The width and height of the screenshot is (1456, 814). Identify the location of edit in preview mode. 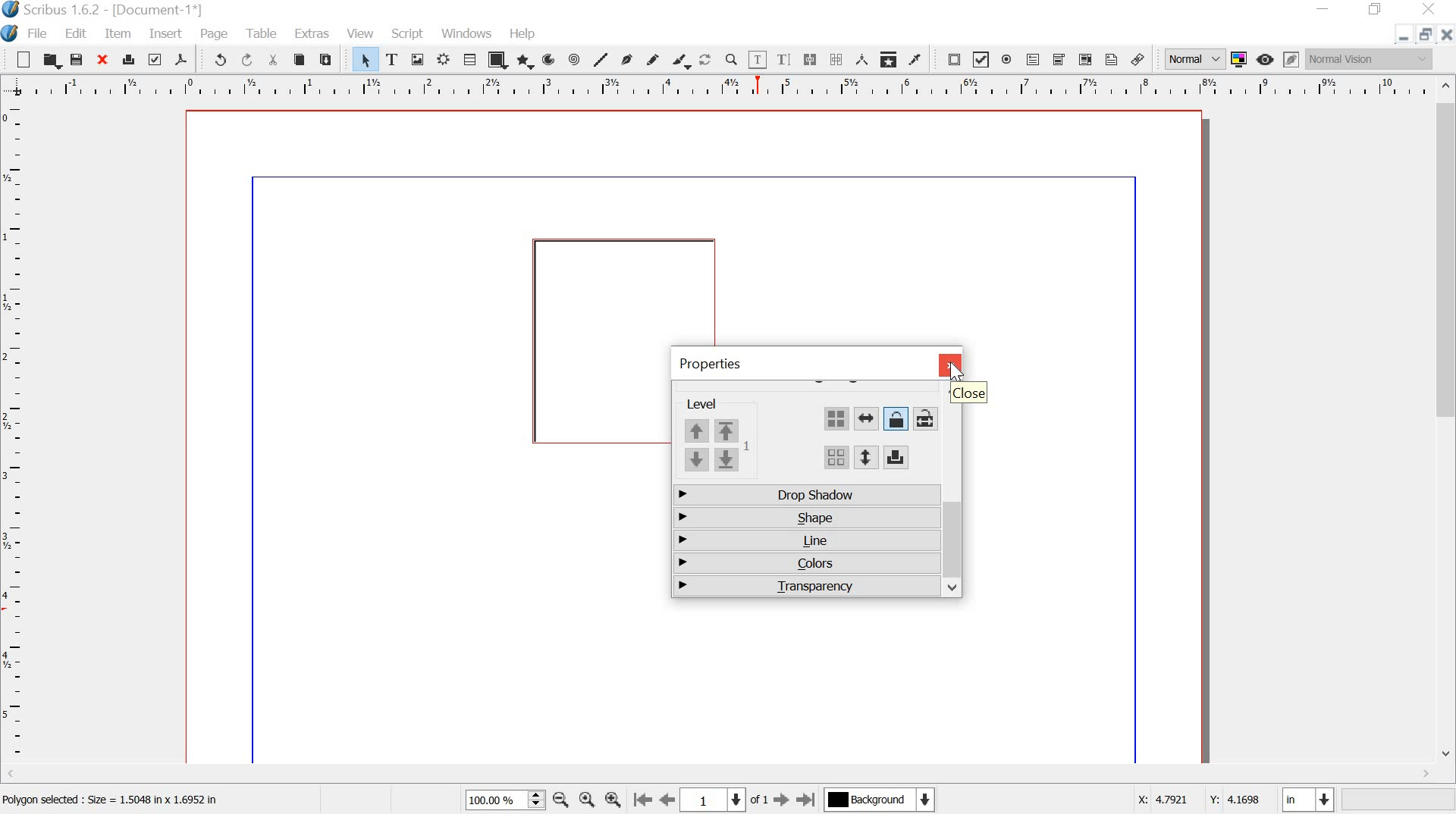
(1292, 59).